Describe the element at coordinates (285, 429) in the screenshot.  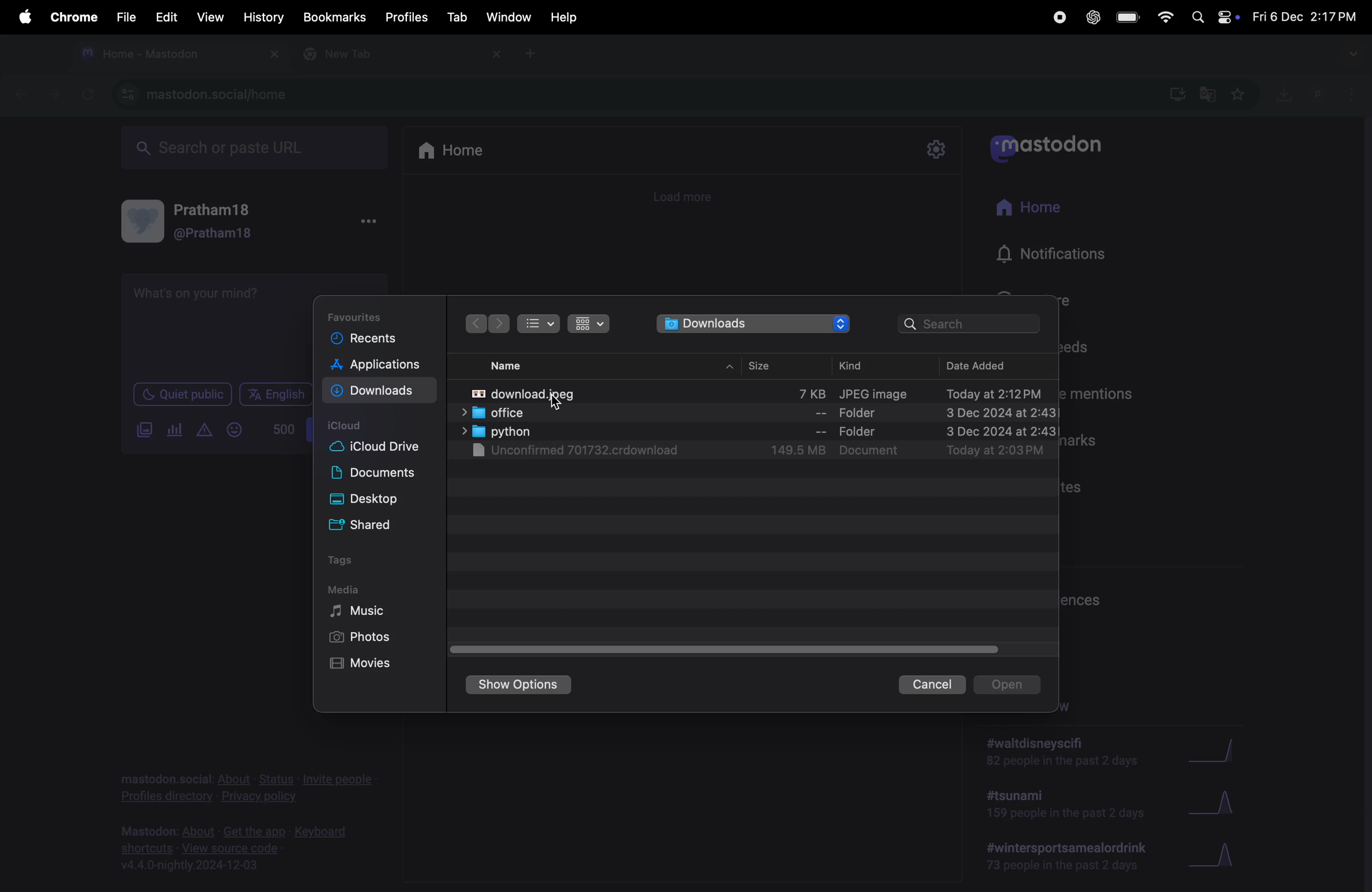
I see `500 words` at that location.